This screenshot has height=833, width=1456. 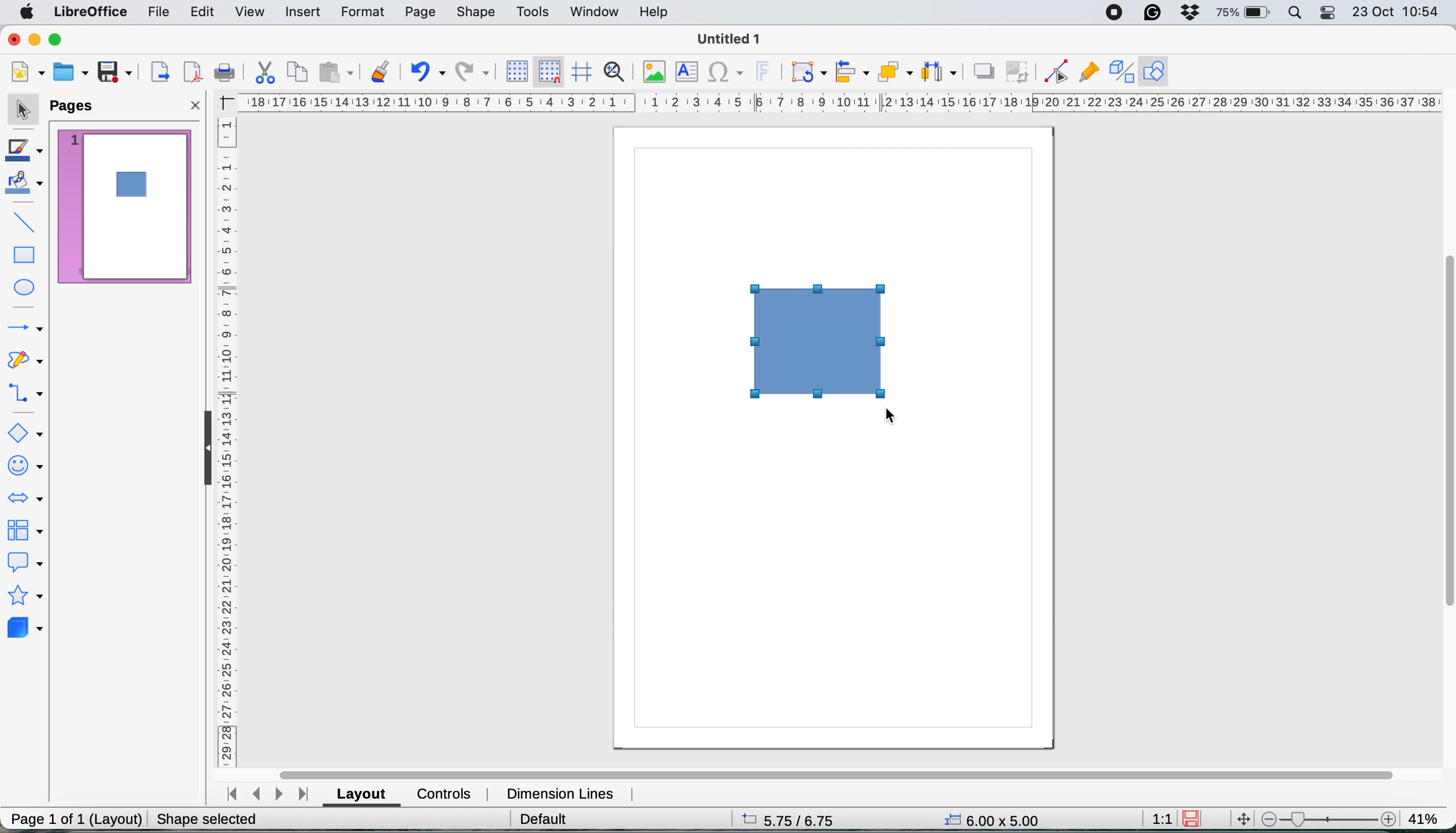 What do you see at coordinates (1152, 12) in the screenshot?
I see `grammarly` at bounding box center [1152, 12].